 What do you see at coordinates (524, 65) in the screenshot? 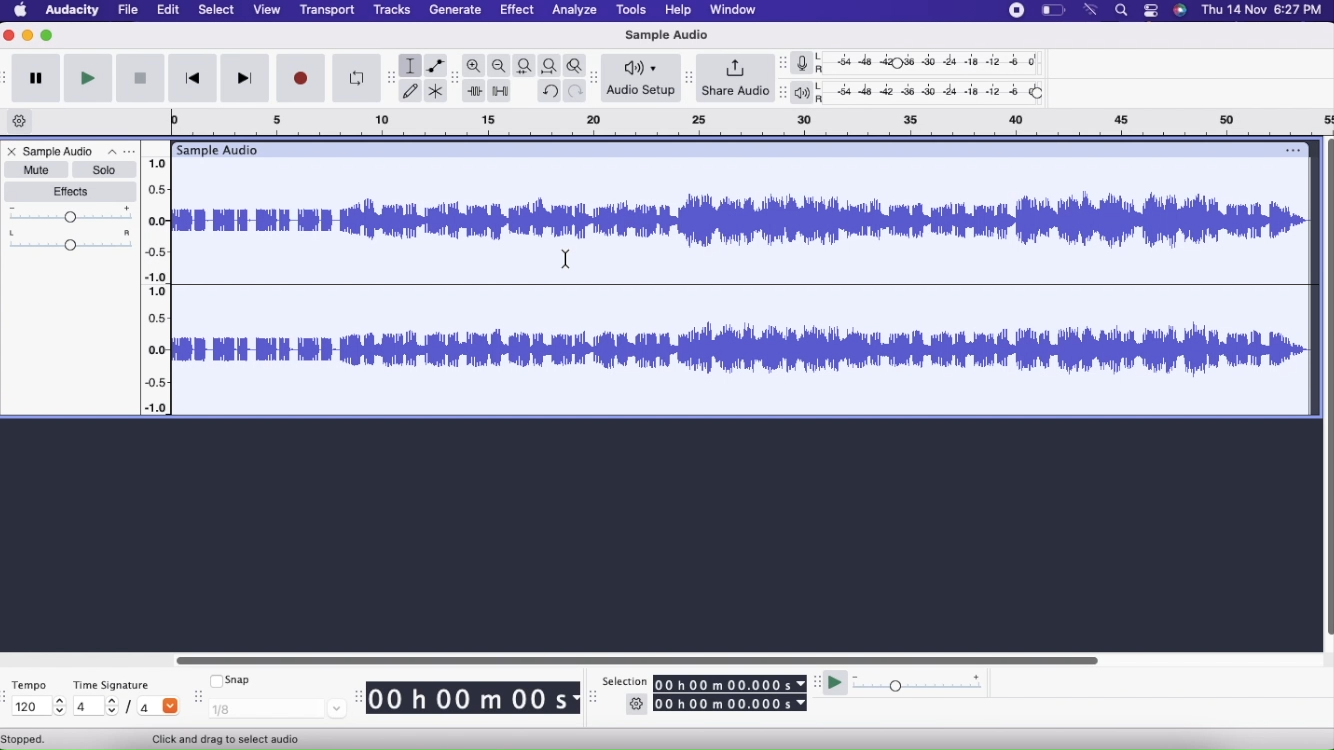
I see `Fit selection to width` at bounding box center [524, 65].